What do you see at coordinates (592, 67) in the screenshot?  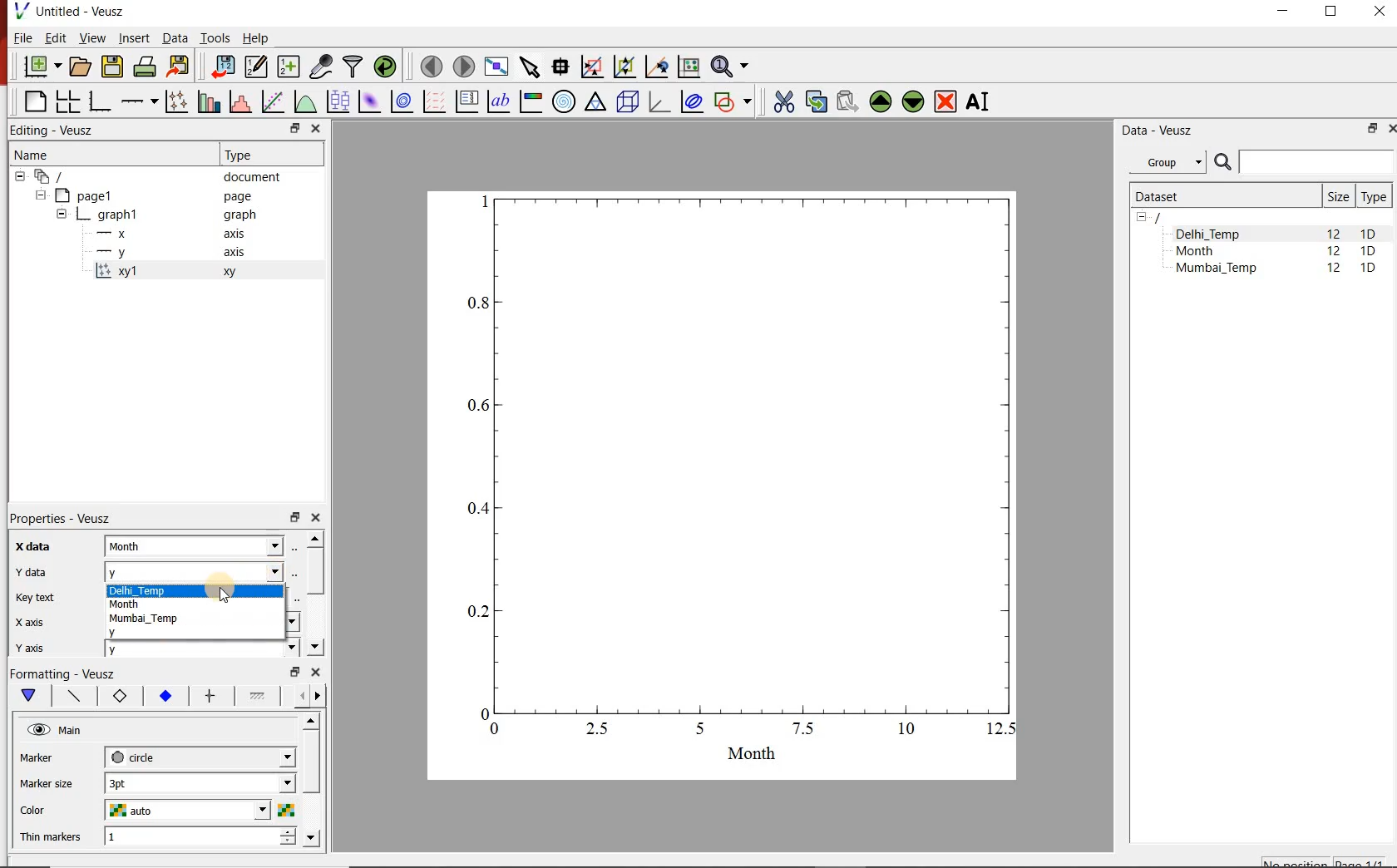 I see `click or draw a rectangle to zoom graph indexes` at bounding box center [592, 67].